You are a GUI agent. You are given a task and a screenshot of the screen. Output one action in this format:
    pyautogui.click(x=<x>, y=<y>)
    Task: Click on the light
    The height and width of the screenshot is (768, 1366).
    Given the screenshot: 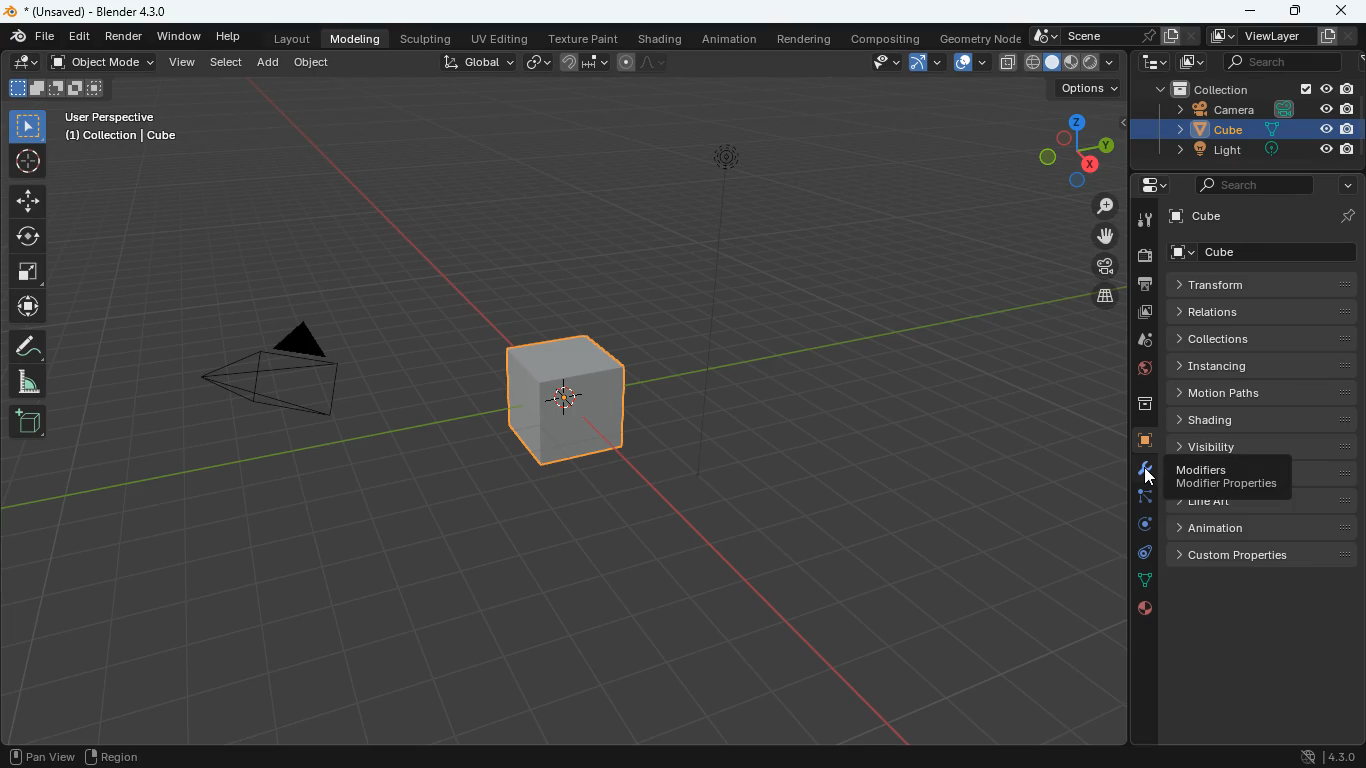 What is the action you would take?
    pyautogui.click(x=1245, y=151)
    